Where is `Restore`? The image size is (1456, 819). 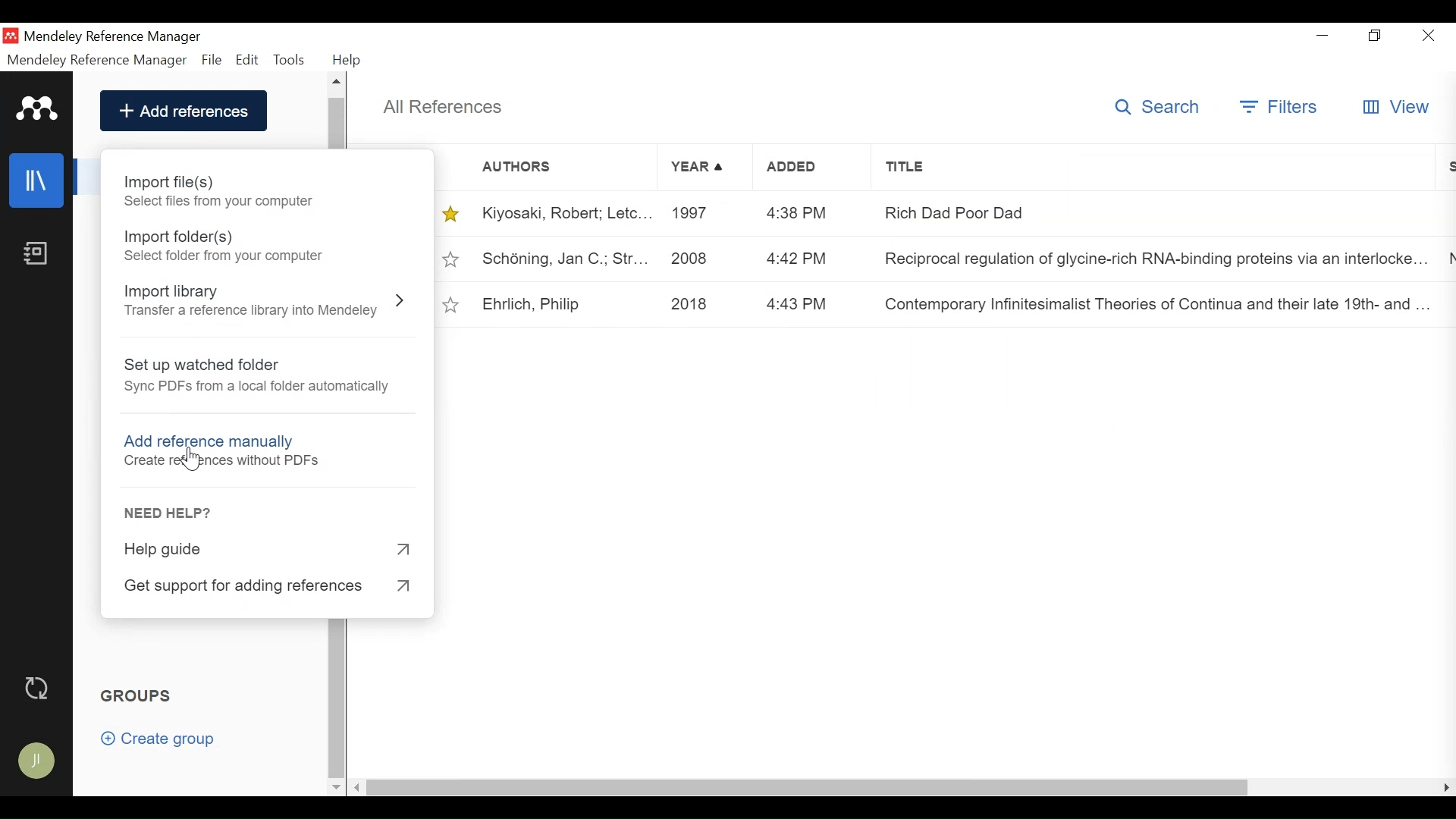
Restore is located at coordinates (1375, 37).